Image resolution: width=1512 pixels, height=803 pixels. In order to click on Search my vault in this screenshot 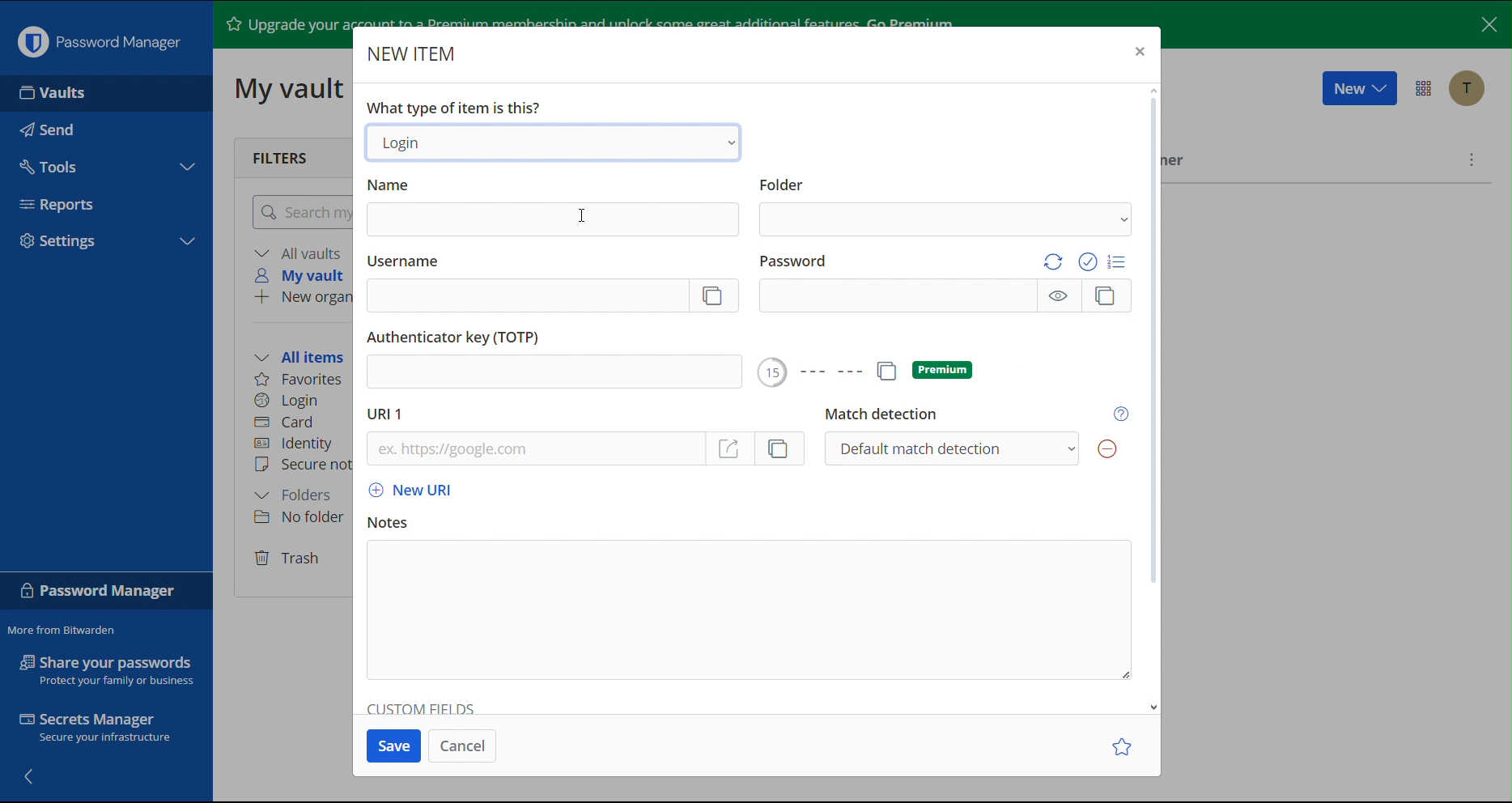, I will do `click(301, 211)`.